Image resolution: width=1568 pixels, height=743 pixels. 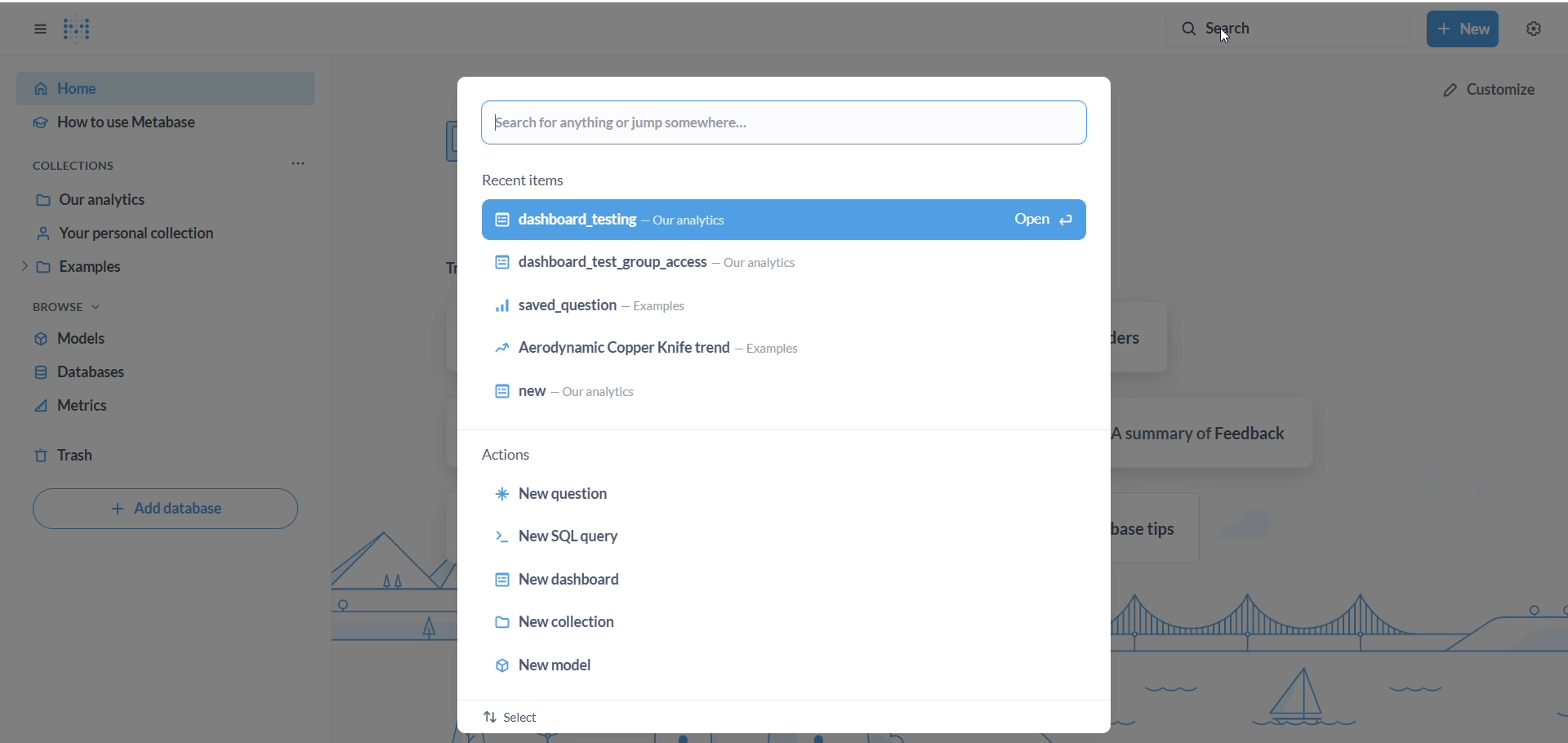 I want to click on examples, so click(x=163, y=268).